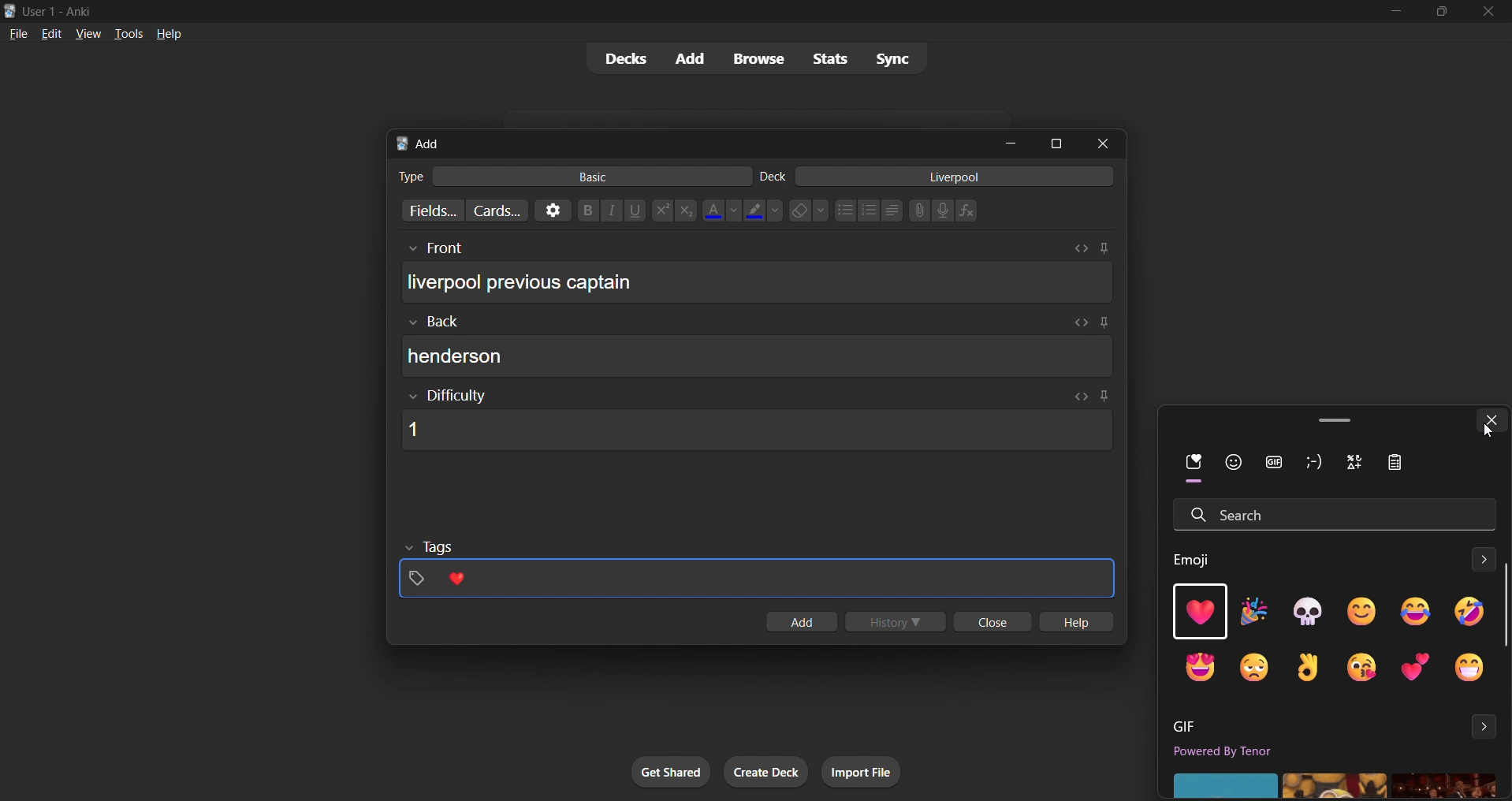 The width and height of the screenshot is (1512, 801). Describe the element at coordinates (672, 773) in the screenshot. I see `get shared` at that location.